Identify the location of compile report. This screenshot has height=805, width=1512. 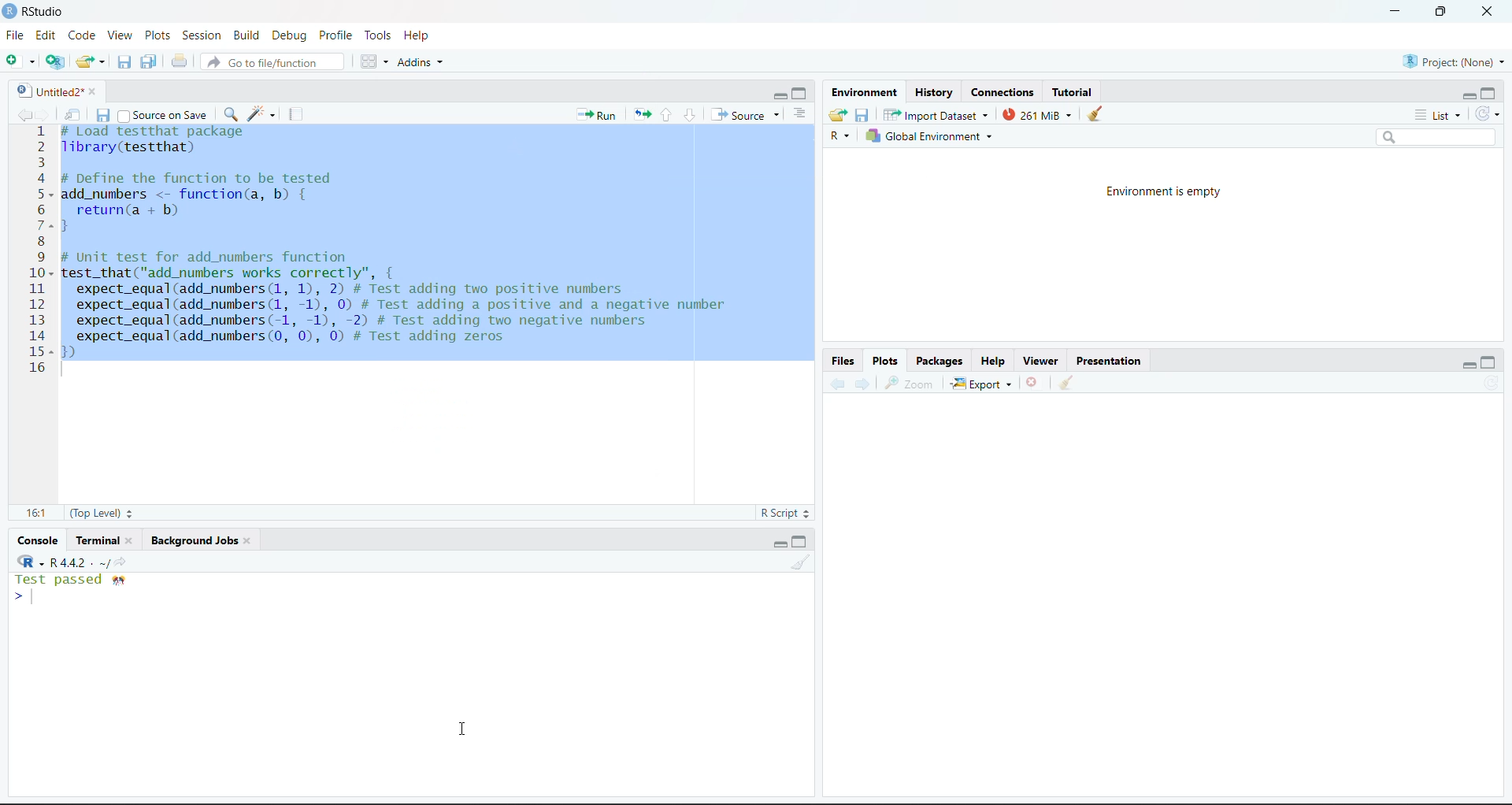
(297, 113).